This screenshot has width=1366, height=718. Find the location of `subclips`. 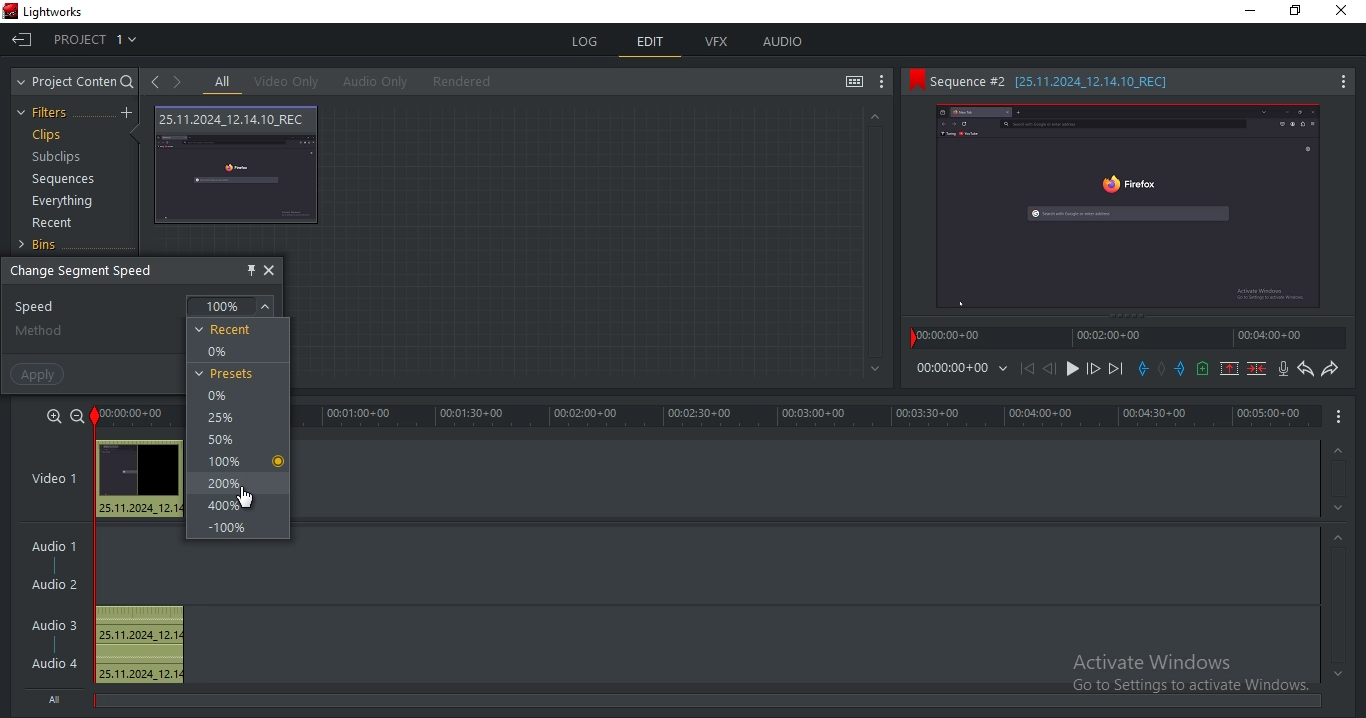

subclips is located at coordinates (55, 158).